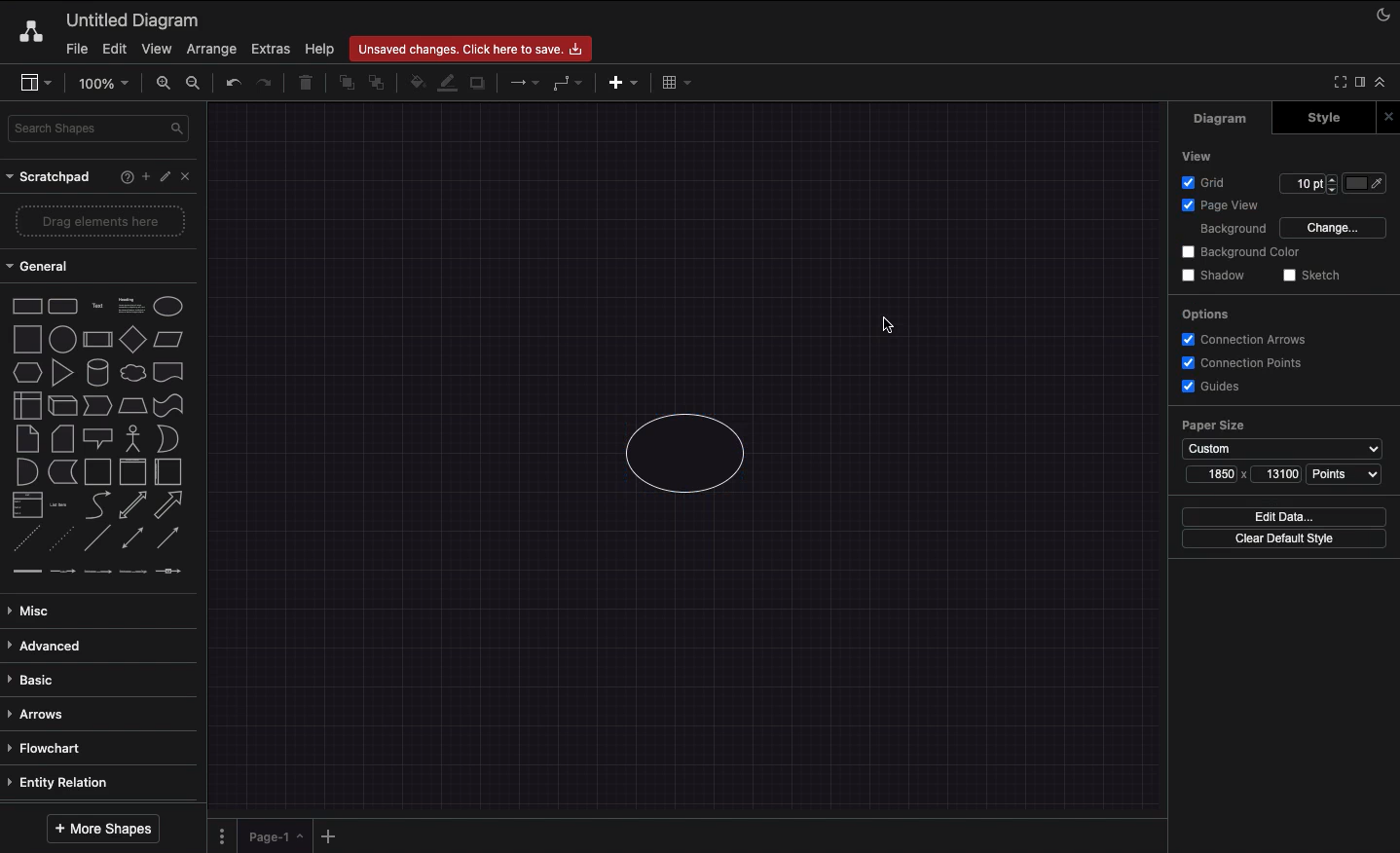 This screenshot has height=853, width=1400. Describe the element at coordinates (1361, 85) in the screenshot. I see `Format` at that location.